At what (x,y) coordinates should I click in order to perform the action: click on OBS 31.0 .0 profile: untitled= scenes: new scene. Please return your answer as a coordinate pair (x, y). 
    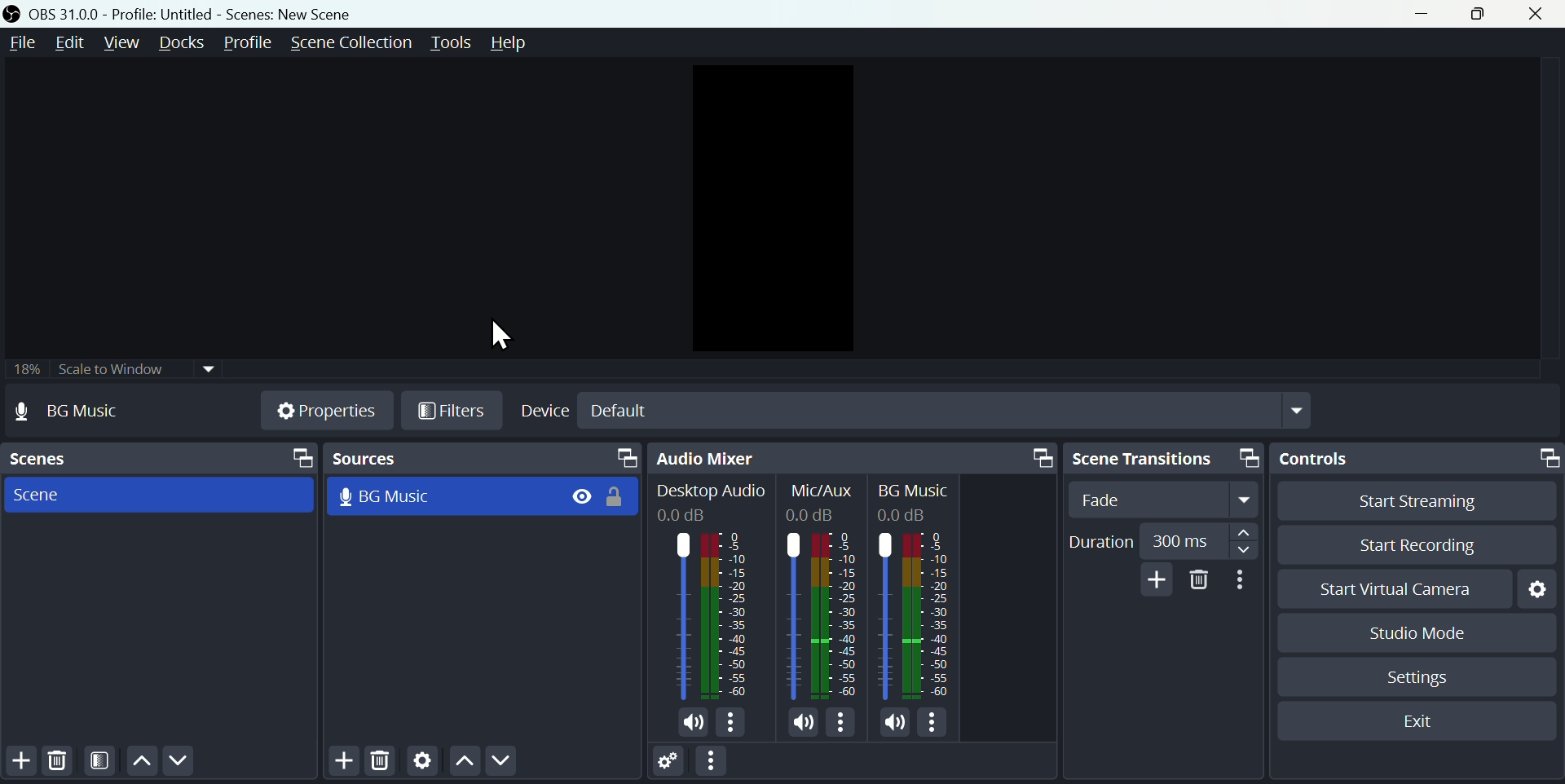
    Looking at the image, I should click on (184, 12).